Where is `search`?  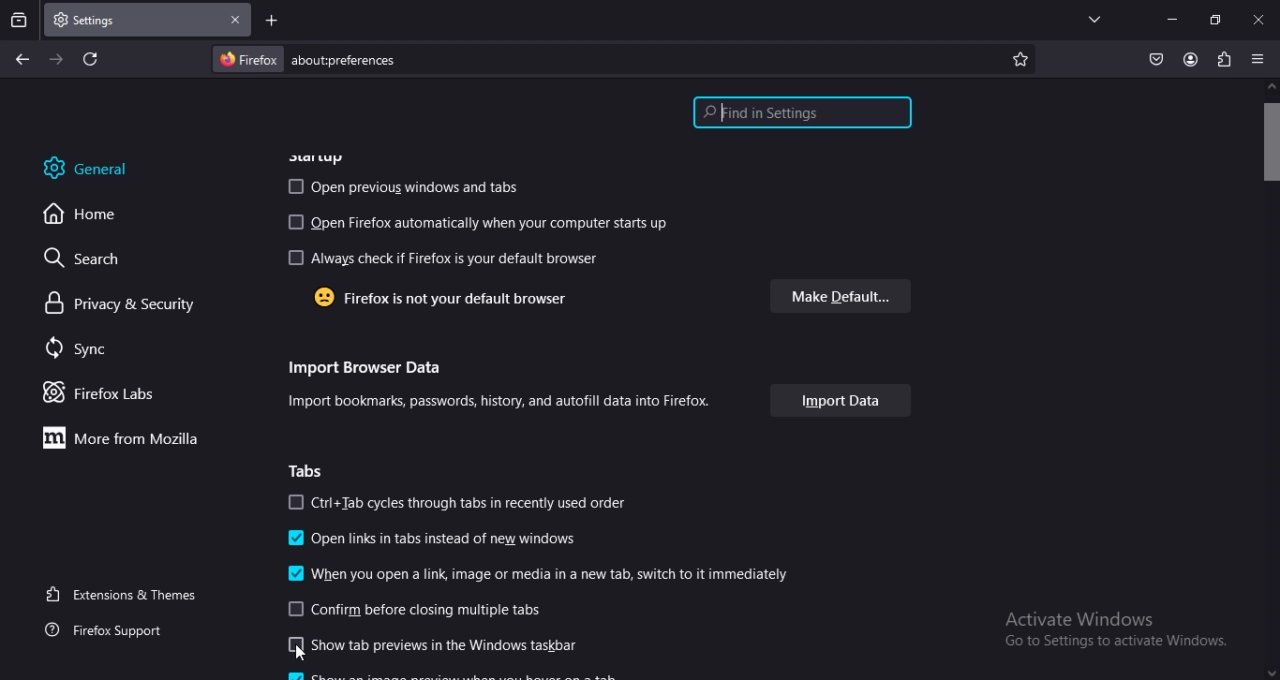 search is located at coordinates (80, 259).